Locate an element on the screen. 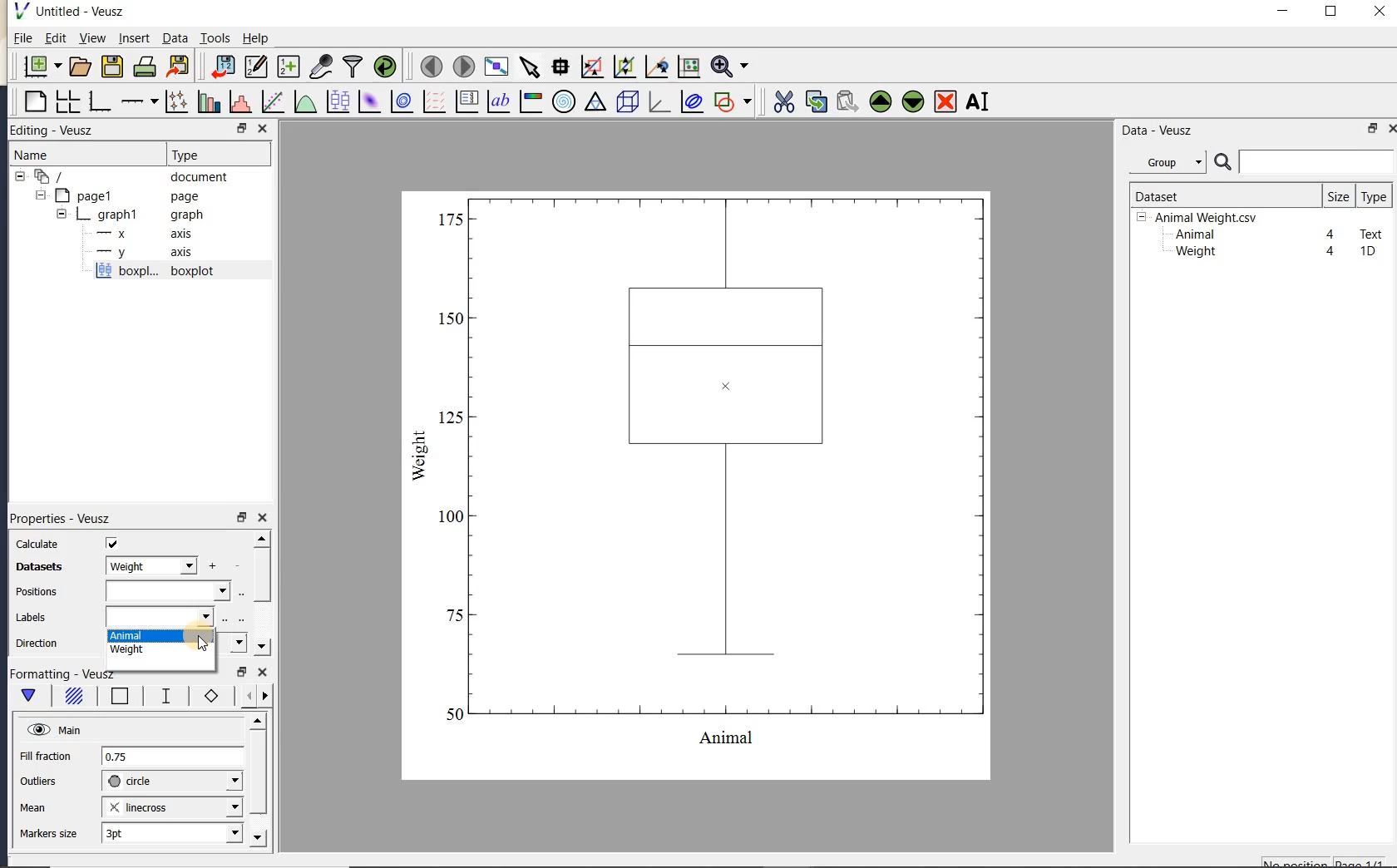 The width and height of the screenshot is (1397, 868). restore is located at coordinates (241, 517).